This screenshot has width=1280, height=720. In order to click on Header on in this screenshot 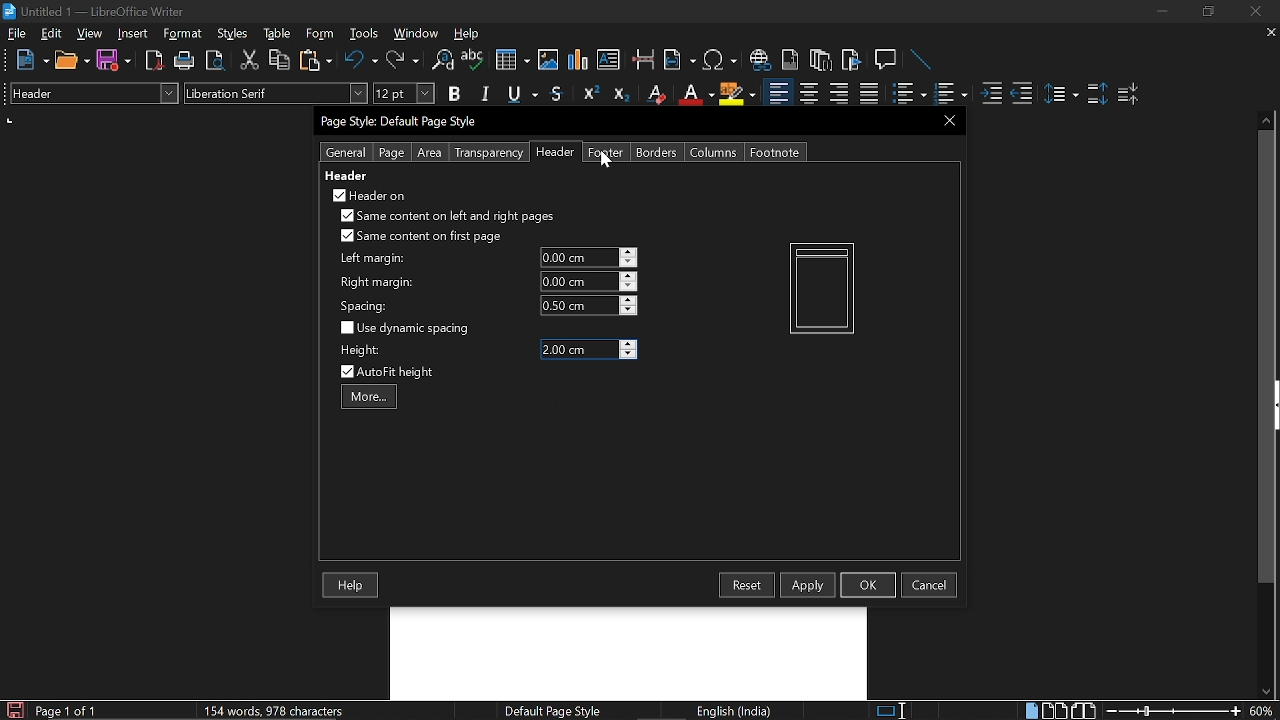, I will do `click(368, 195)`.